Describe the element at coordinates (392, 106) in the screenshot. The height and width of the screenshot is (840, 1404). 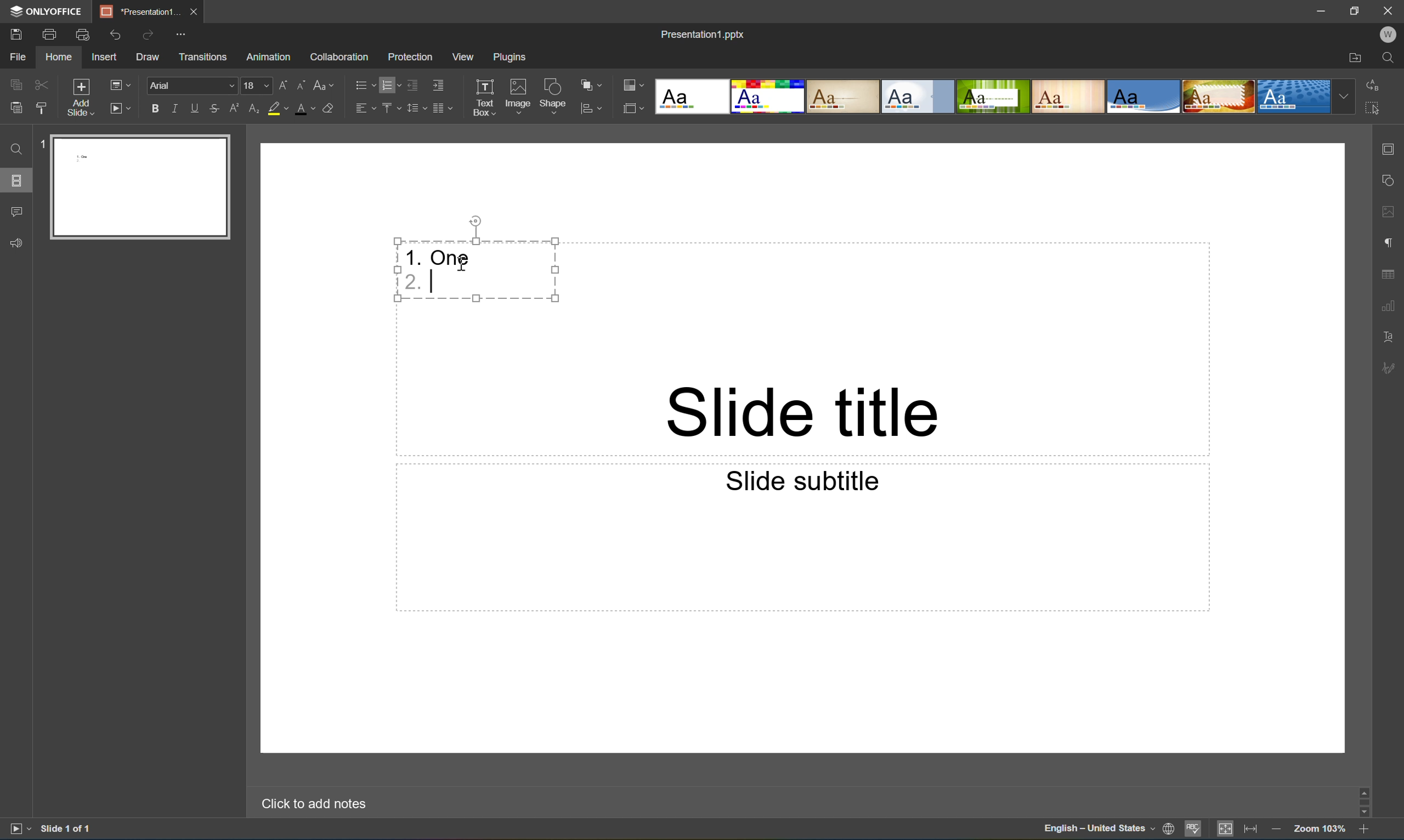
I see `Vertical align` at that location.